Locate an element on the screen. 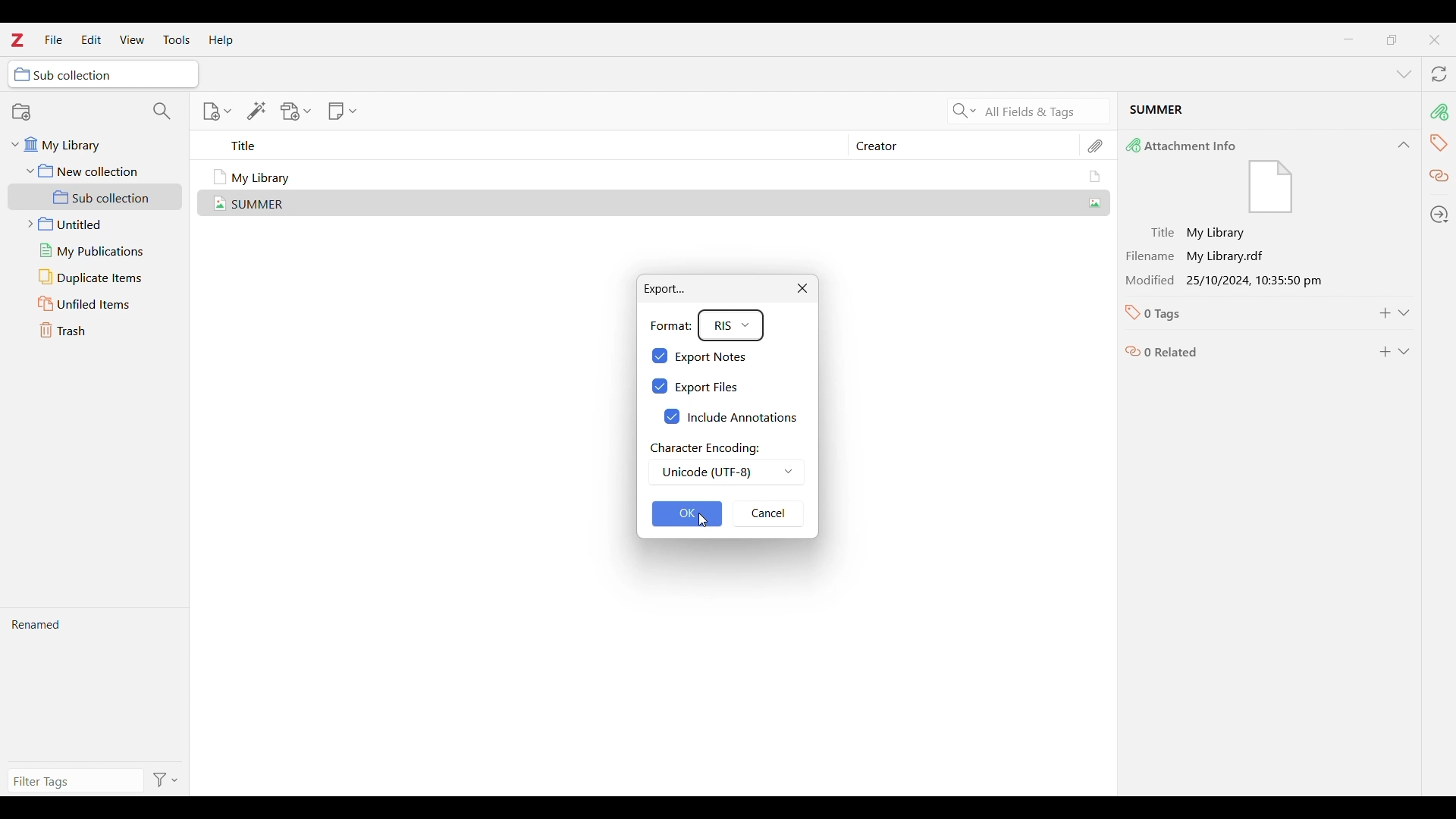 The width and height of the screenshot is (1456, 819). List all tabs is located at coordinates (1404, 74).